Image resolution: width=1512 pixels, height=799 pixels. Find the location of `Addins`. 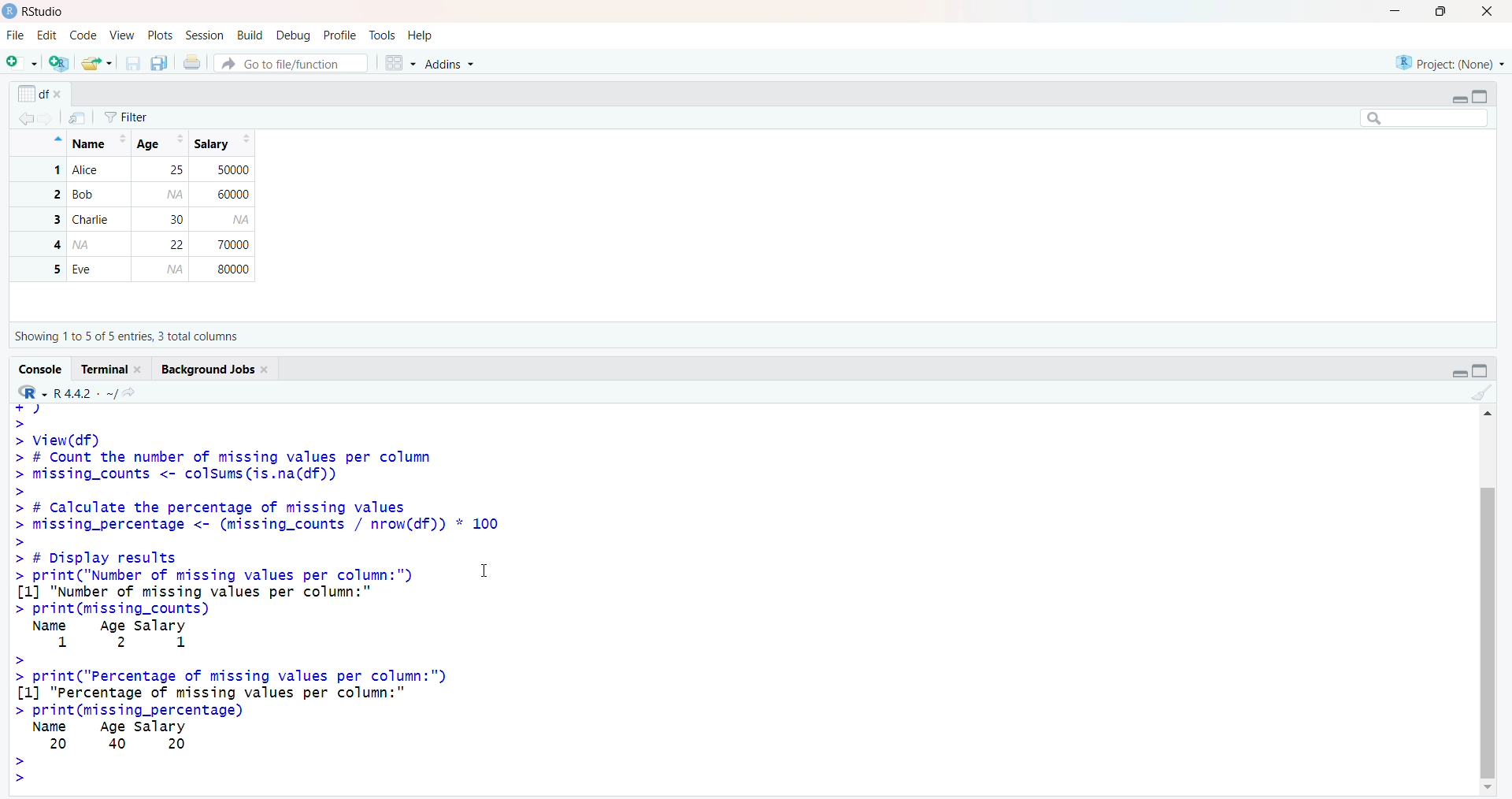

Addins is located at coordinates (458, 61).